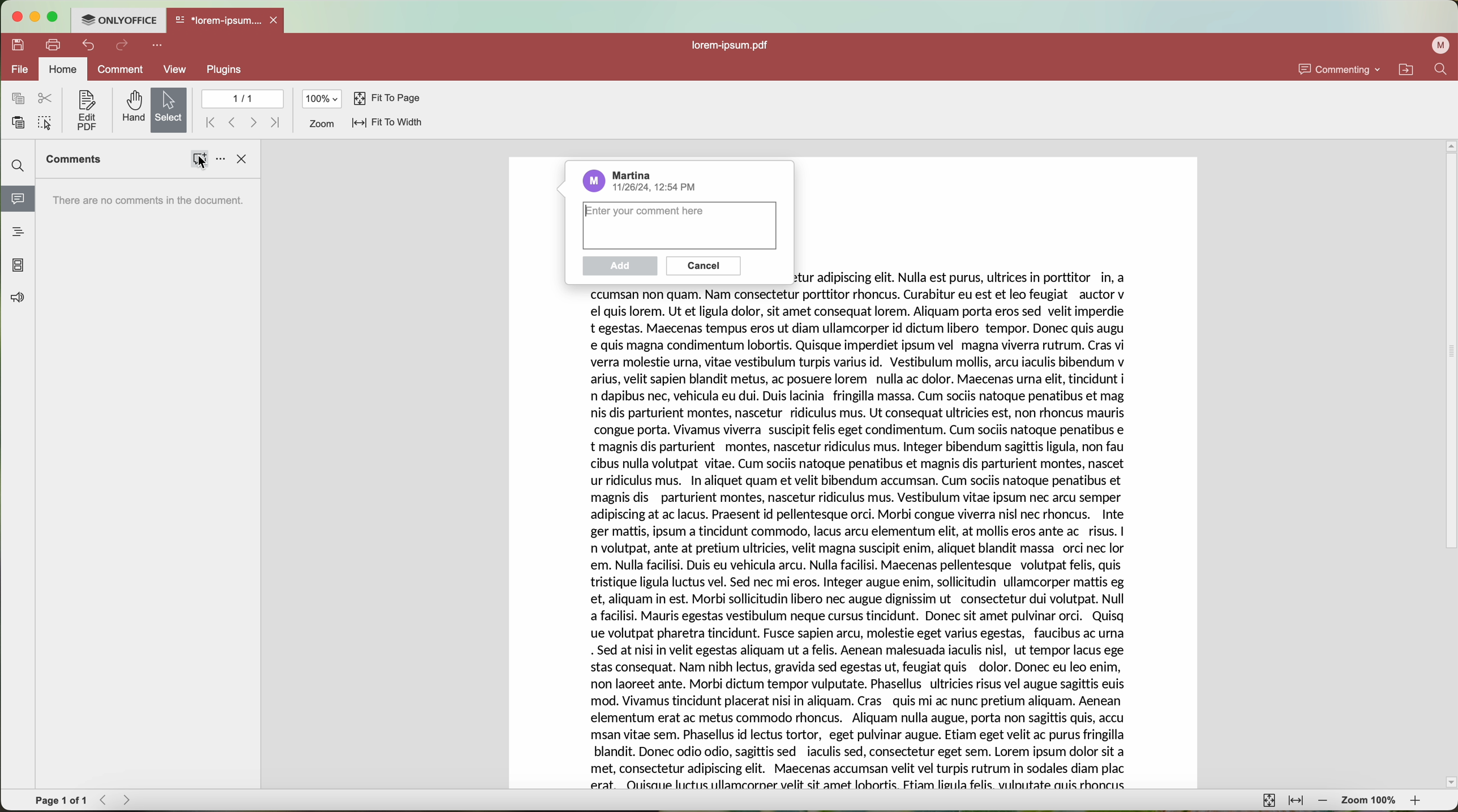 The image size is (1458, 812). Describe the element at coordinates (53, 18) in the screenshot. I see `maximize` at that location.